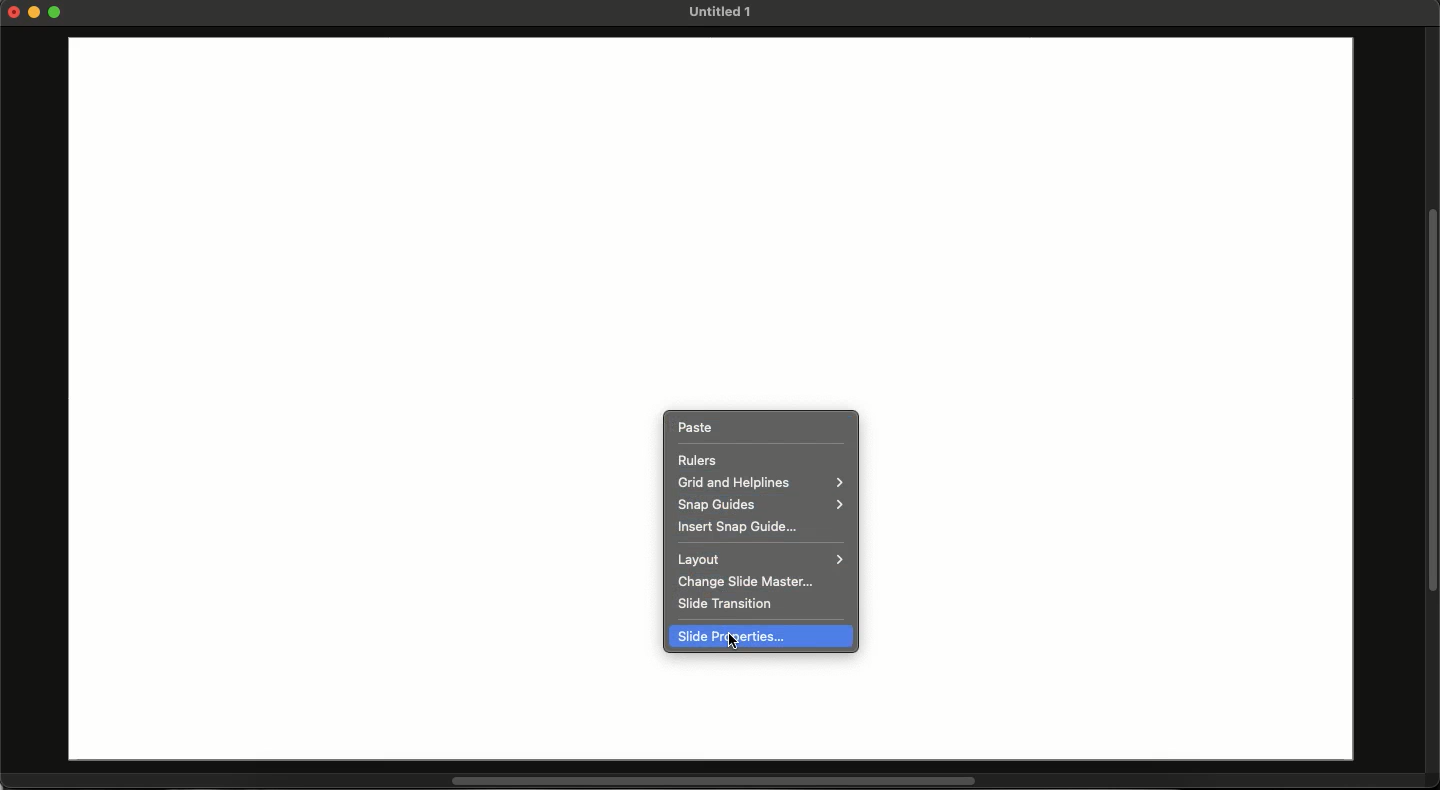 The width and height of the screenshot is (1440, 790). What do you see at coordinates (14, 11) in the screenshot?
I see `Close` at bounding box center [14, 11].